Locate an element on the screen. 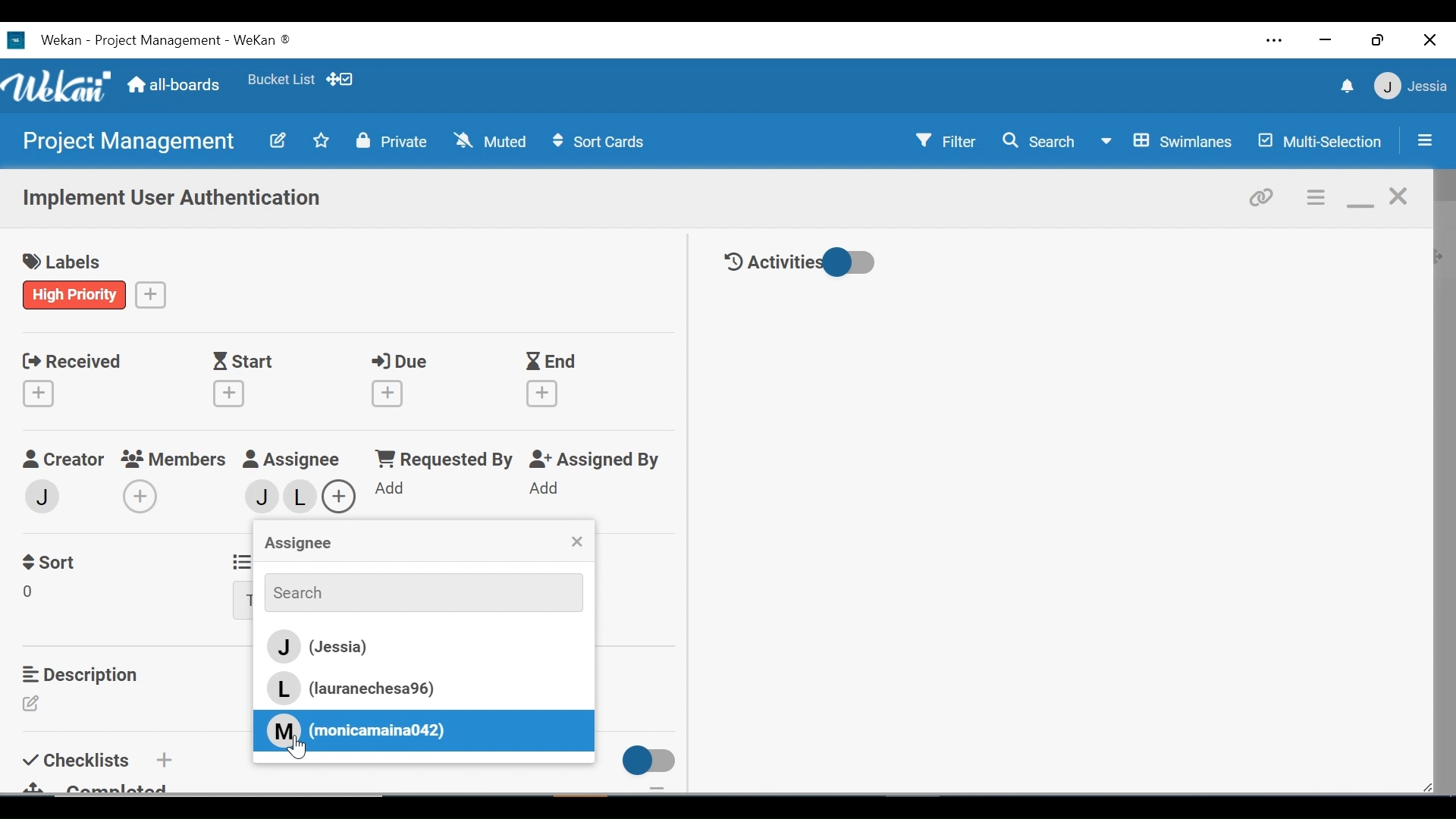 The width and height of the screenshot is (1456, 819). Wekan logo is located at coordinates (60, 88).